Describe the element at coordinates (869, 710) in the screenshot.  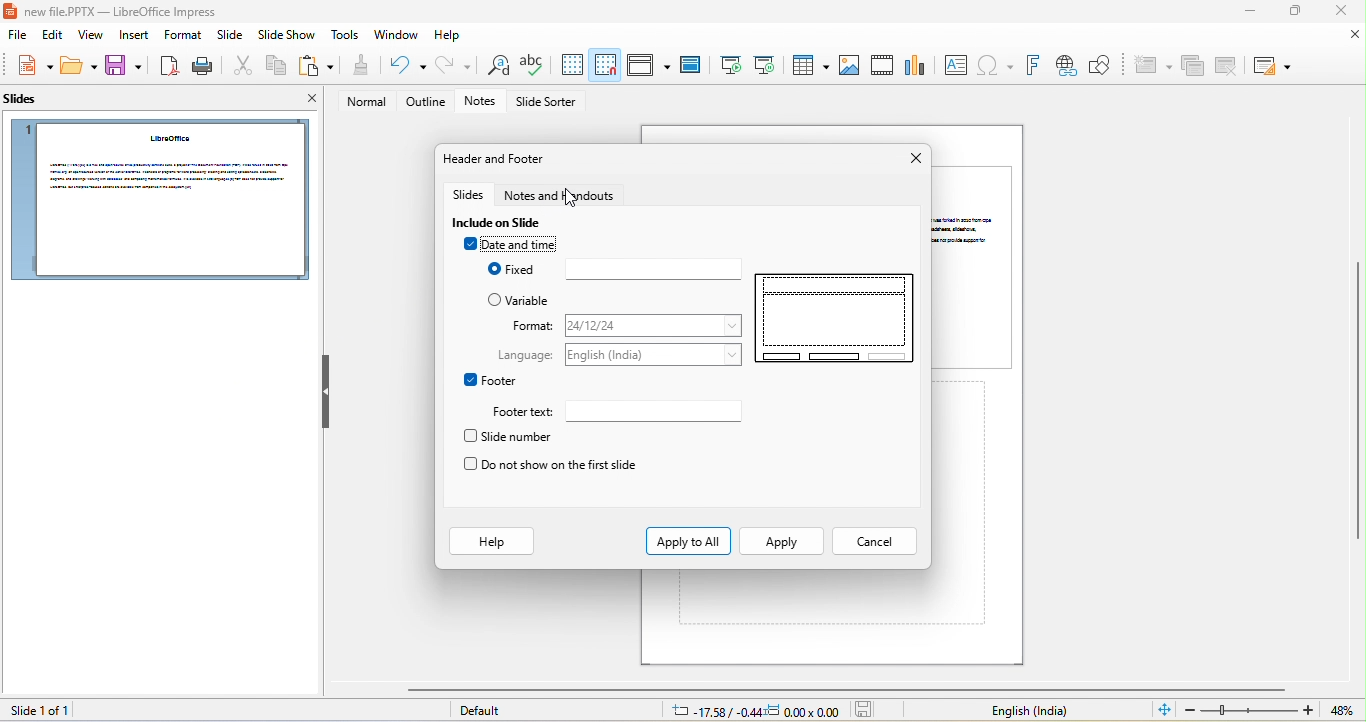
I see `the document has not been modified since the last save` at that location.